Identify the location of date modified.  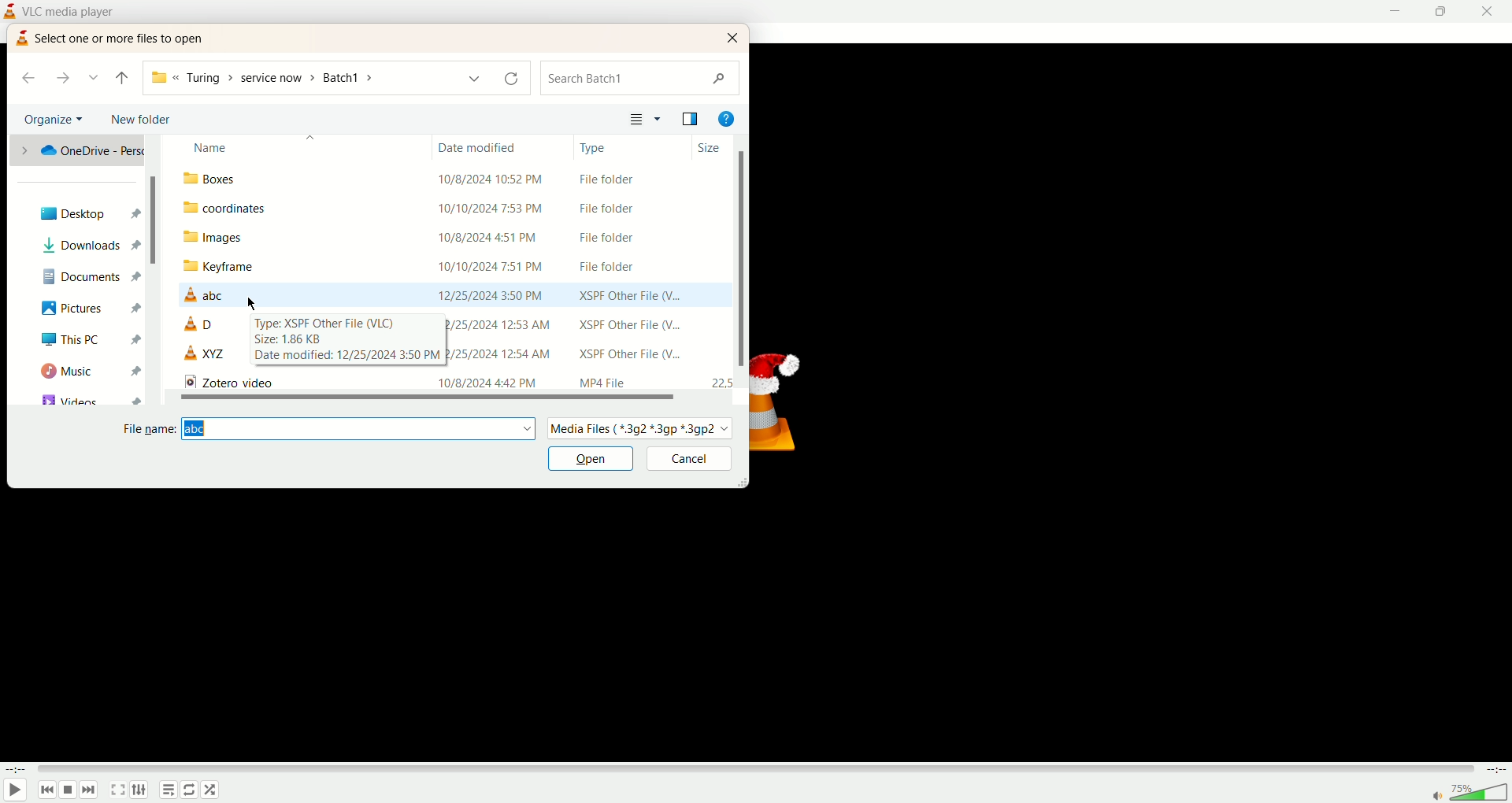
(478, 147).